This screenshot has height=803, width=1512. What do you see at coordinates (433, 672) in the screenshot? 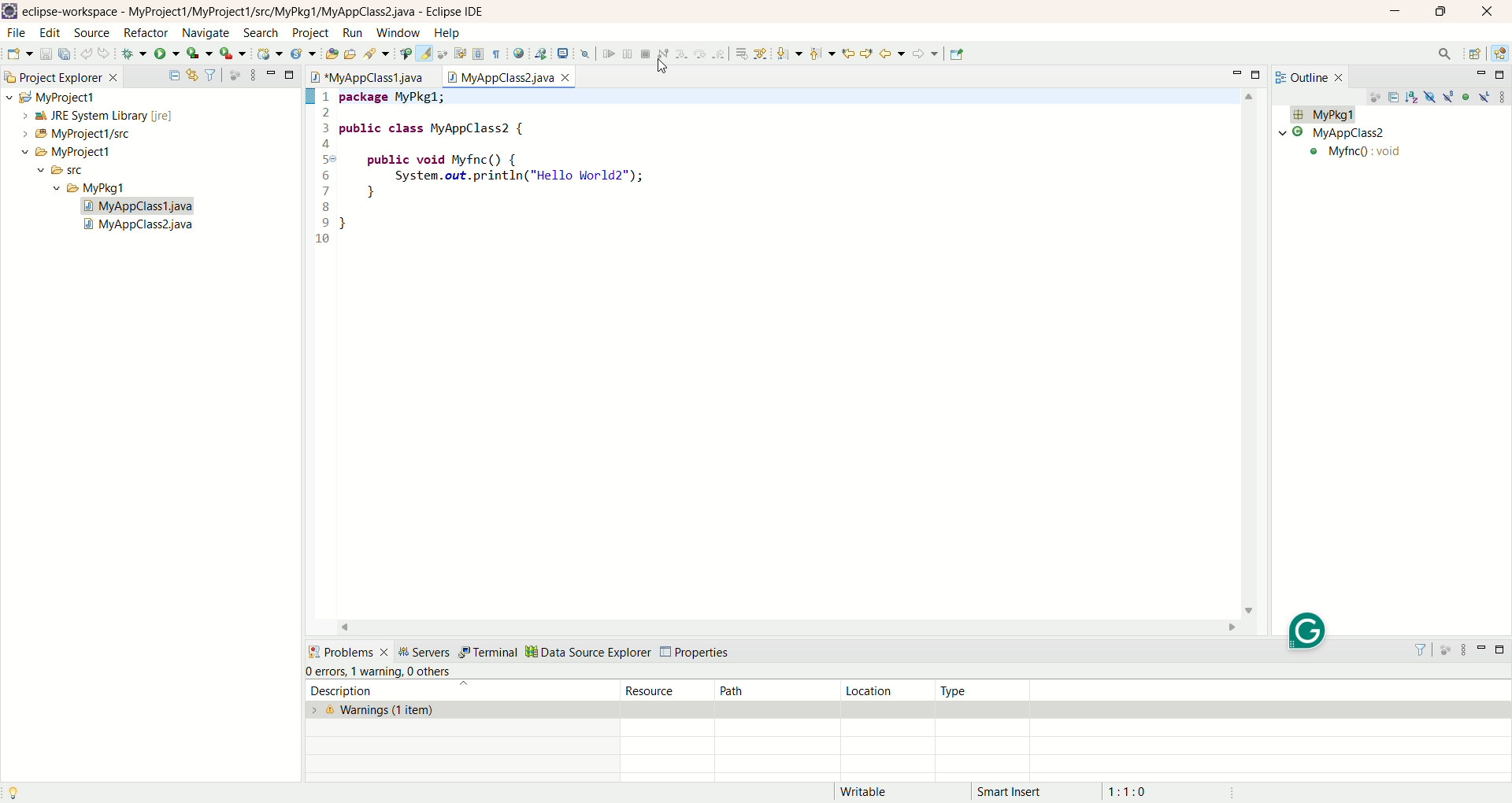
I see `others` at bounding box center [433, 672].